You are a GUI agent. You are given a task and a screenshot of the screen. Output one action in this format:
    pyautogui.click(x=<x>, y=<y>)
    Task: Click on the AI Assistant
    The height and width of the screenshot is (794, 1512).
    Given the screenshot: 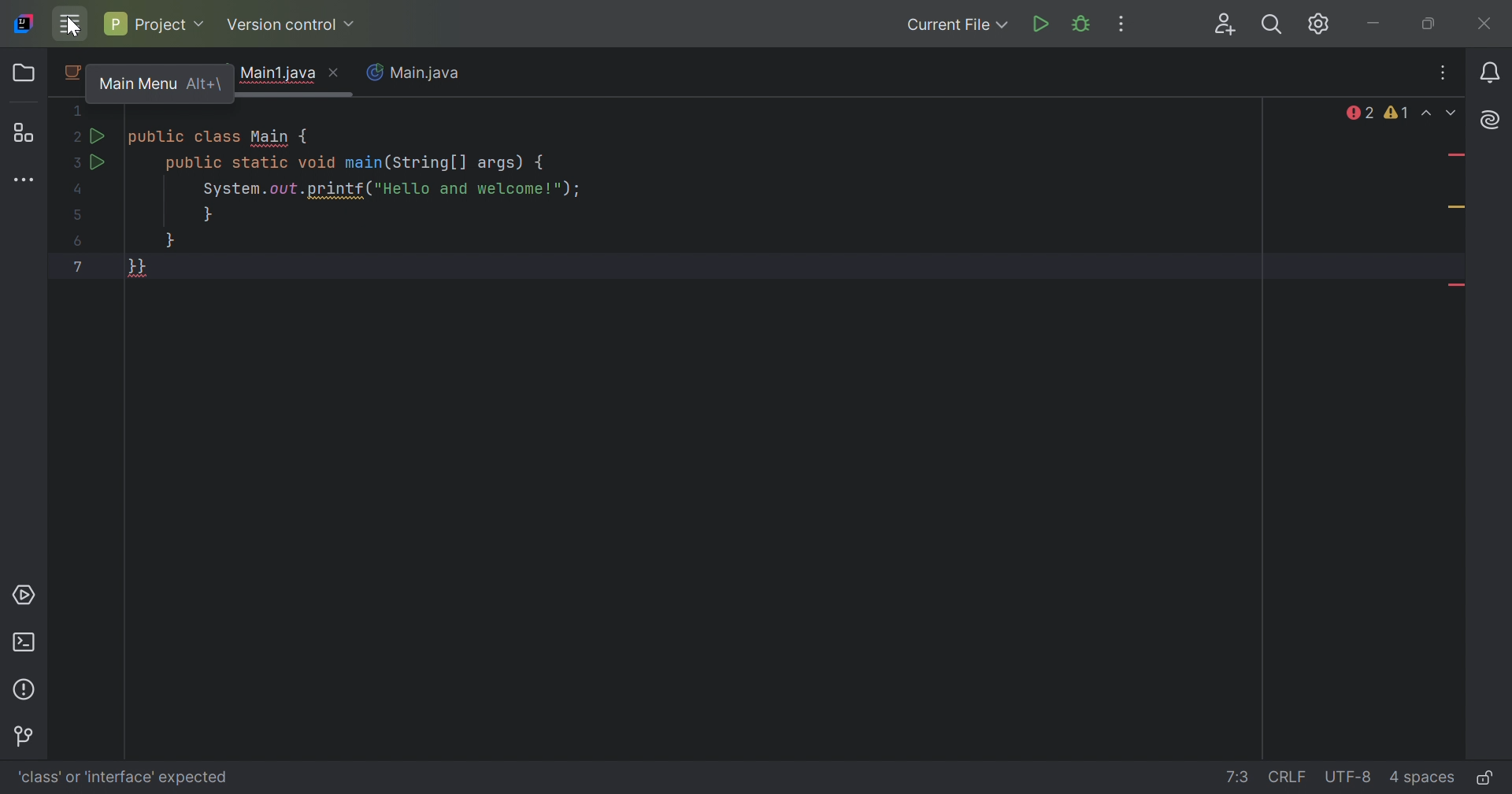 What is the action you would take?
    pyautogui.click(x=1488, y=121)
    